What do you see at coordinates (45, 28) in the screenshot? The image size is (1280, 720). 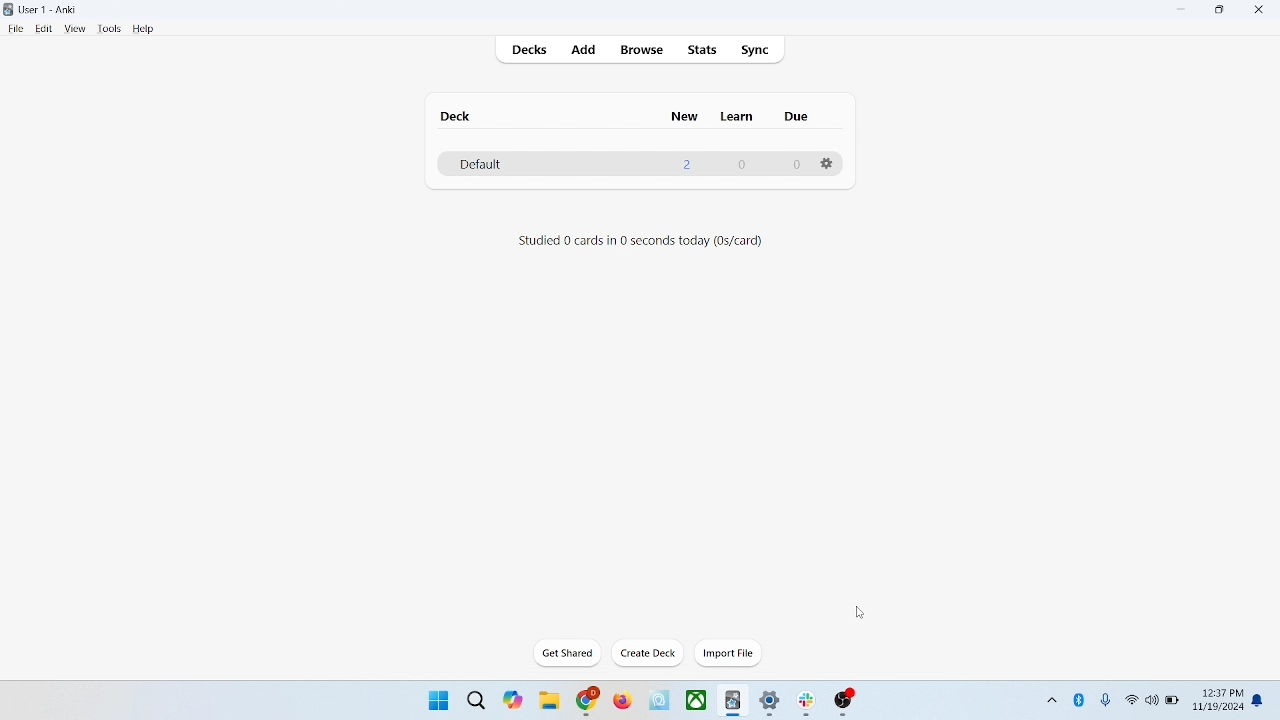 I see `edit` at bounding box center [45, 28].